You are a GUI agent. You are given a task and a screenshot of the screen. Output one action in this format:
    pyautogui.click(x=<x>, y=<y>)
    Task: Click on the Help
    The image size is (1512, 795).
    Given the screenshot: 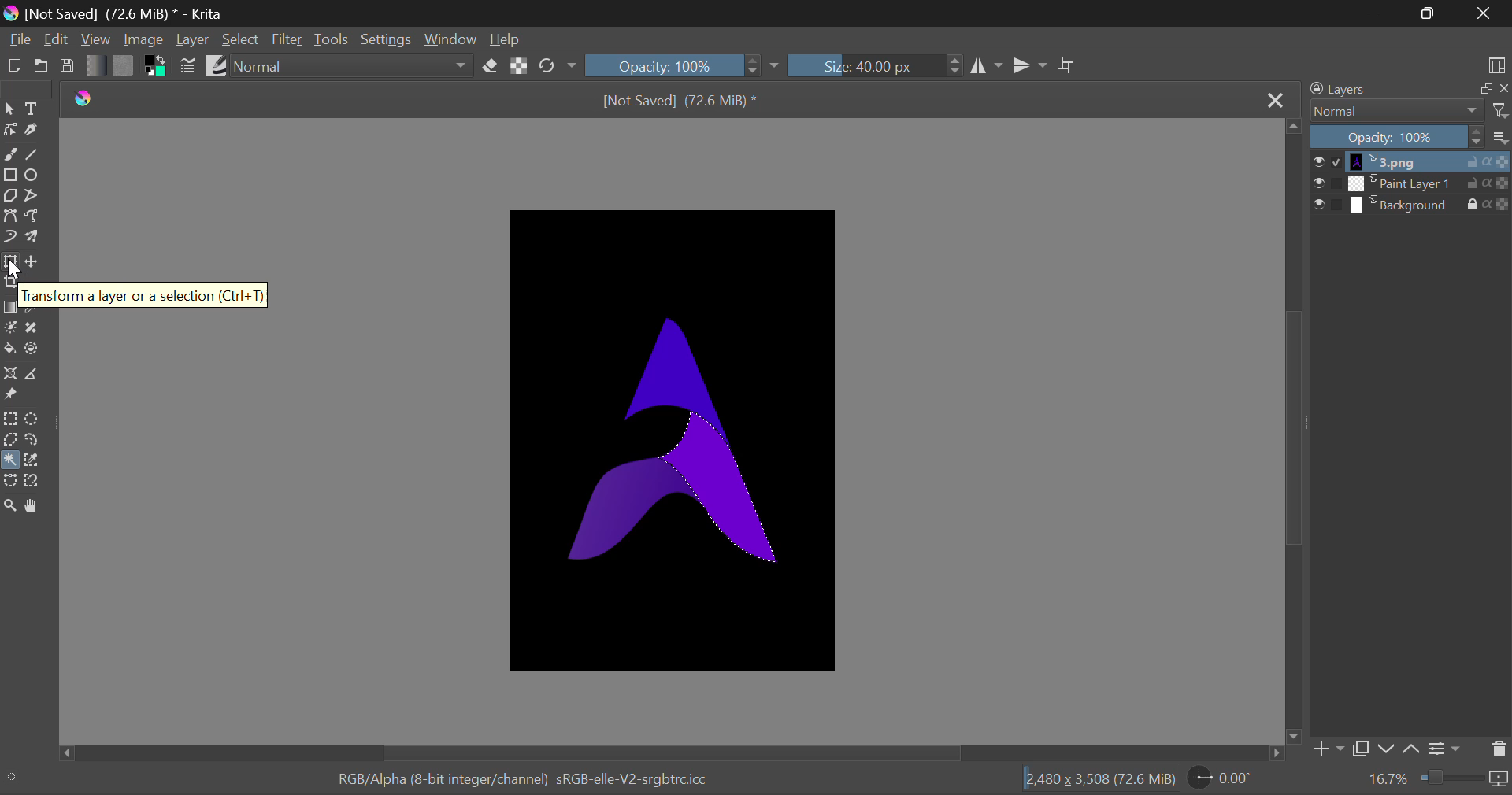 What is the action you would take?
    pyautogui.click(x=504, y=39)
    